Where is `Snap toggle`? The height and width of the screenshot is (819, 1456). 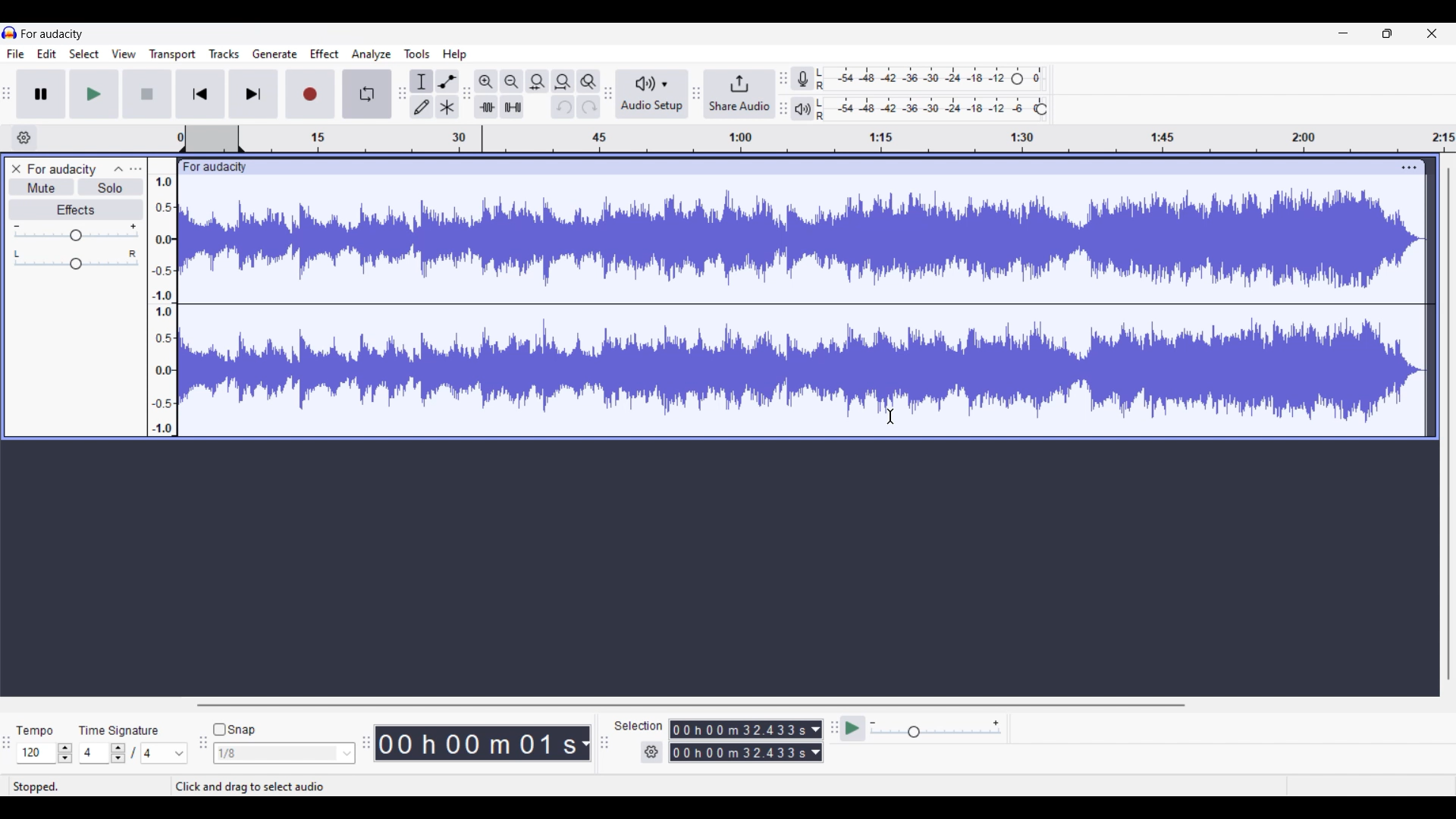
Snap toggle is located at coordinates (235, 730).